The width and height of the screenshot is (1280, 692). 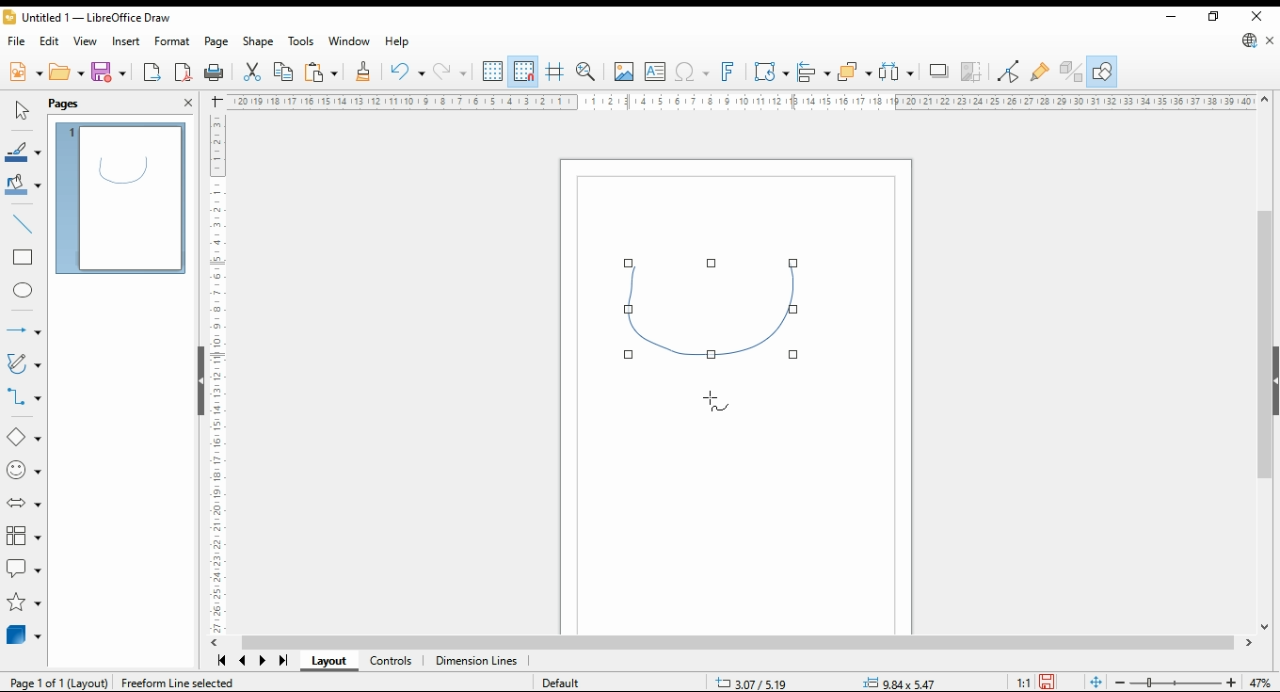 I want to click on icon and file name, so click(x=87, y=16).